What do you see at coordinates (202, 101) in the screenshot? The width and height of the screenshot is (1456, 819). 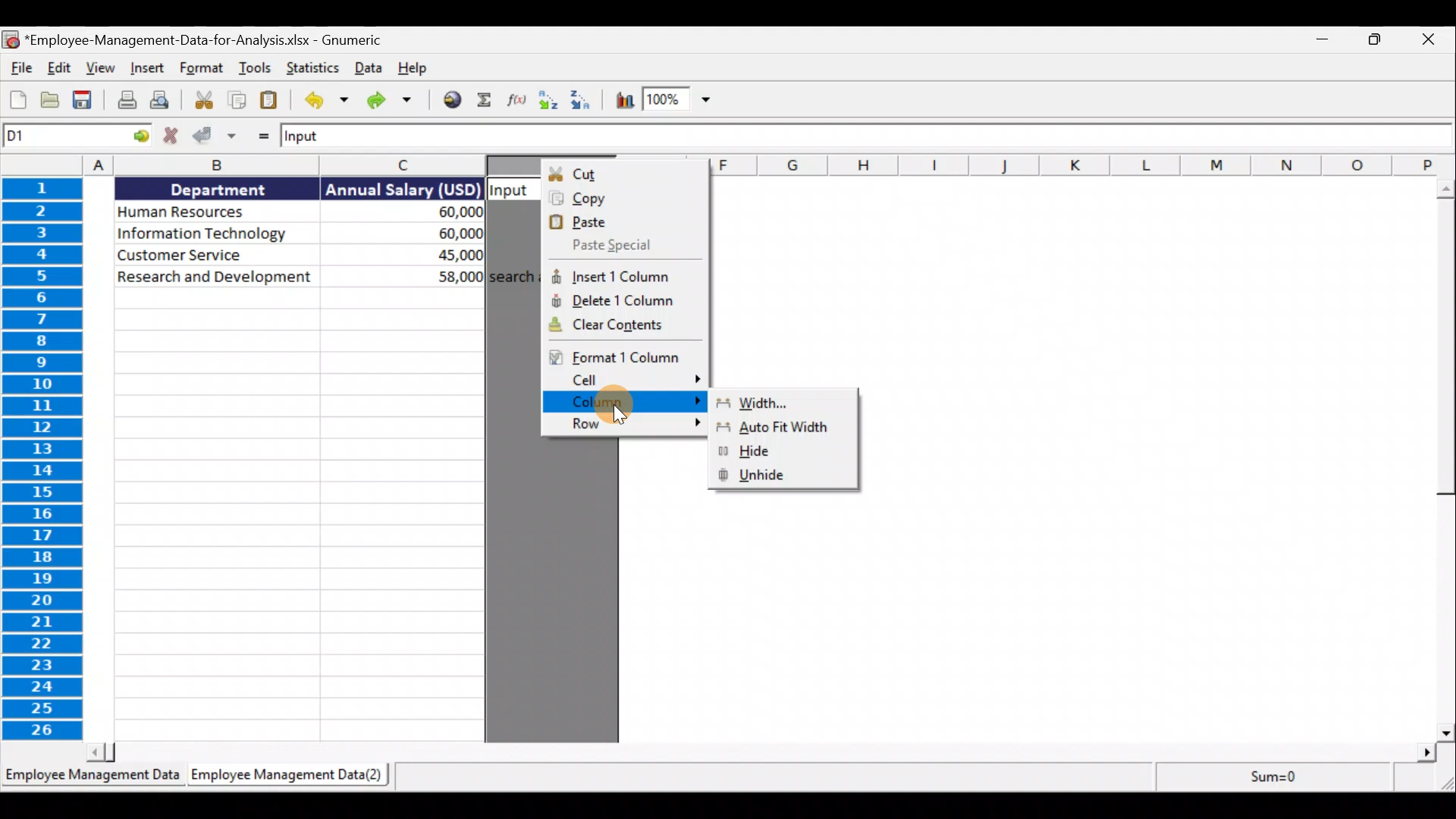 I see `Cut selection` at bounding box center [202, 101].